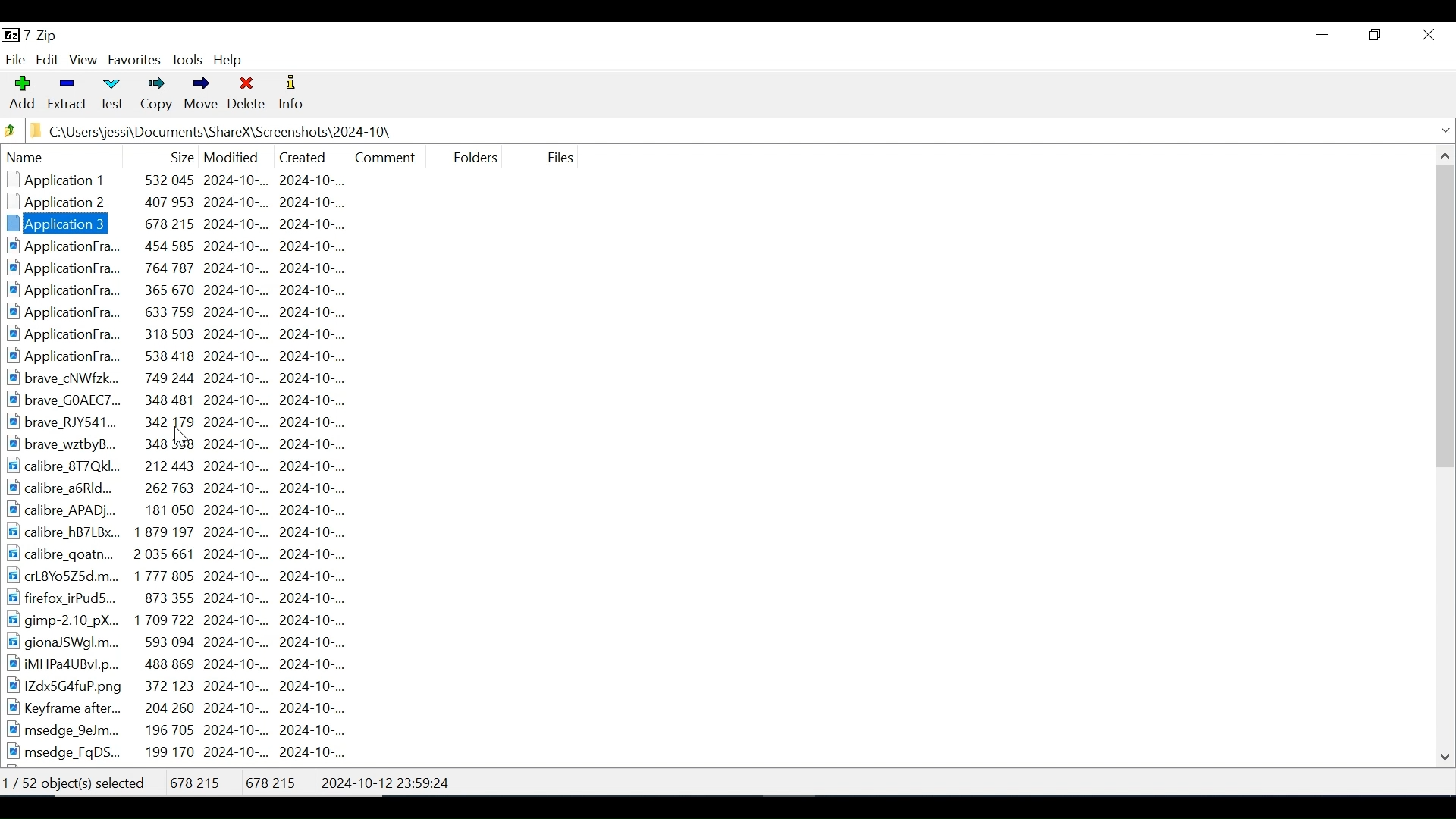  What do you see at coordinates (188, 60) in the screenshot?
I see `Tools` at bounding box center [188, 60].